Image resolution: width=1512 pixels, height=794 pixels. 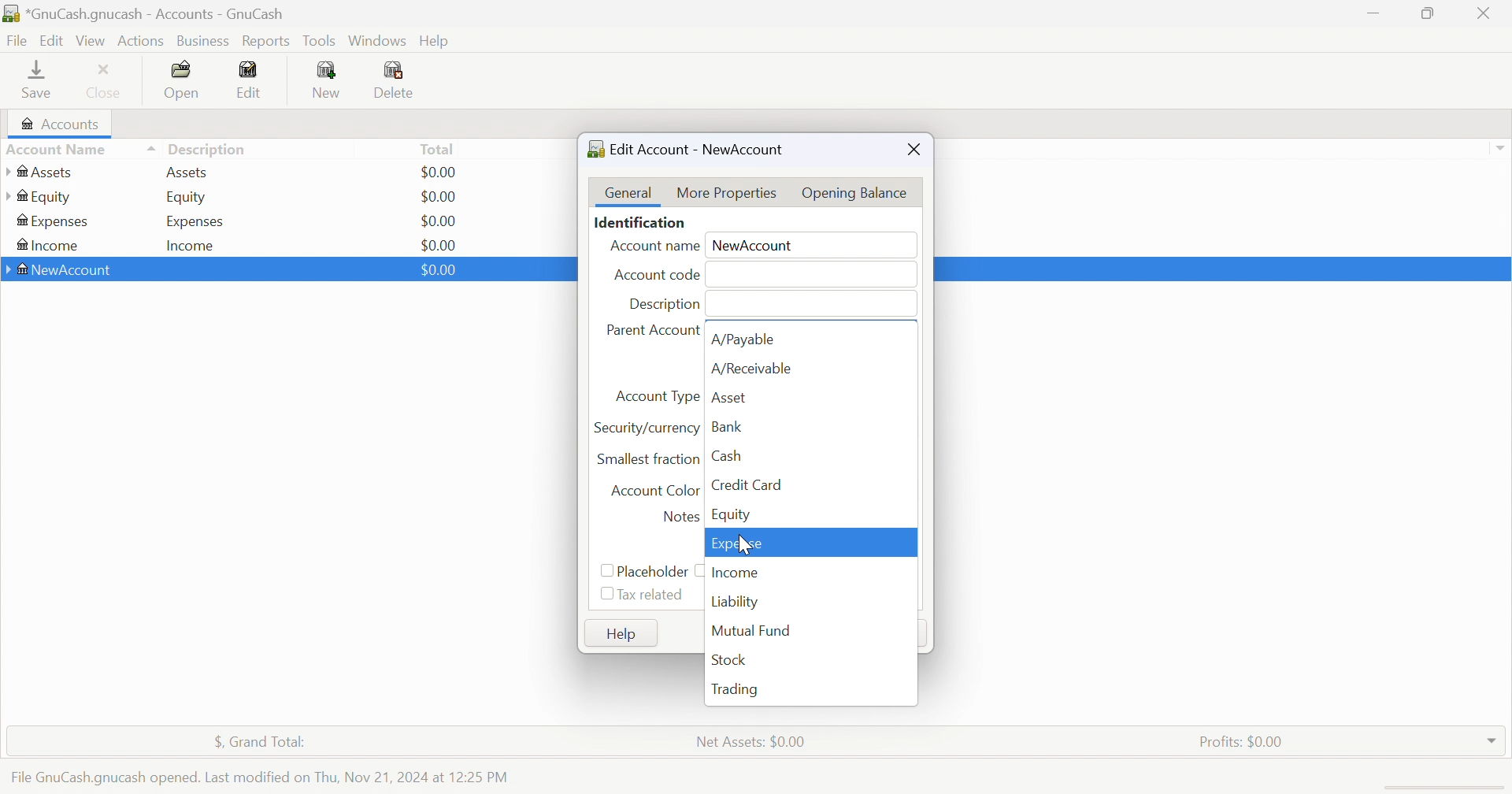 I want to click on A/Receivable, so click(x=752, y=366).